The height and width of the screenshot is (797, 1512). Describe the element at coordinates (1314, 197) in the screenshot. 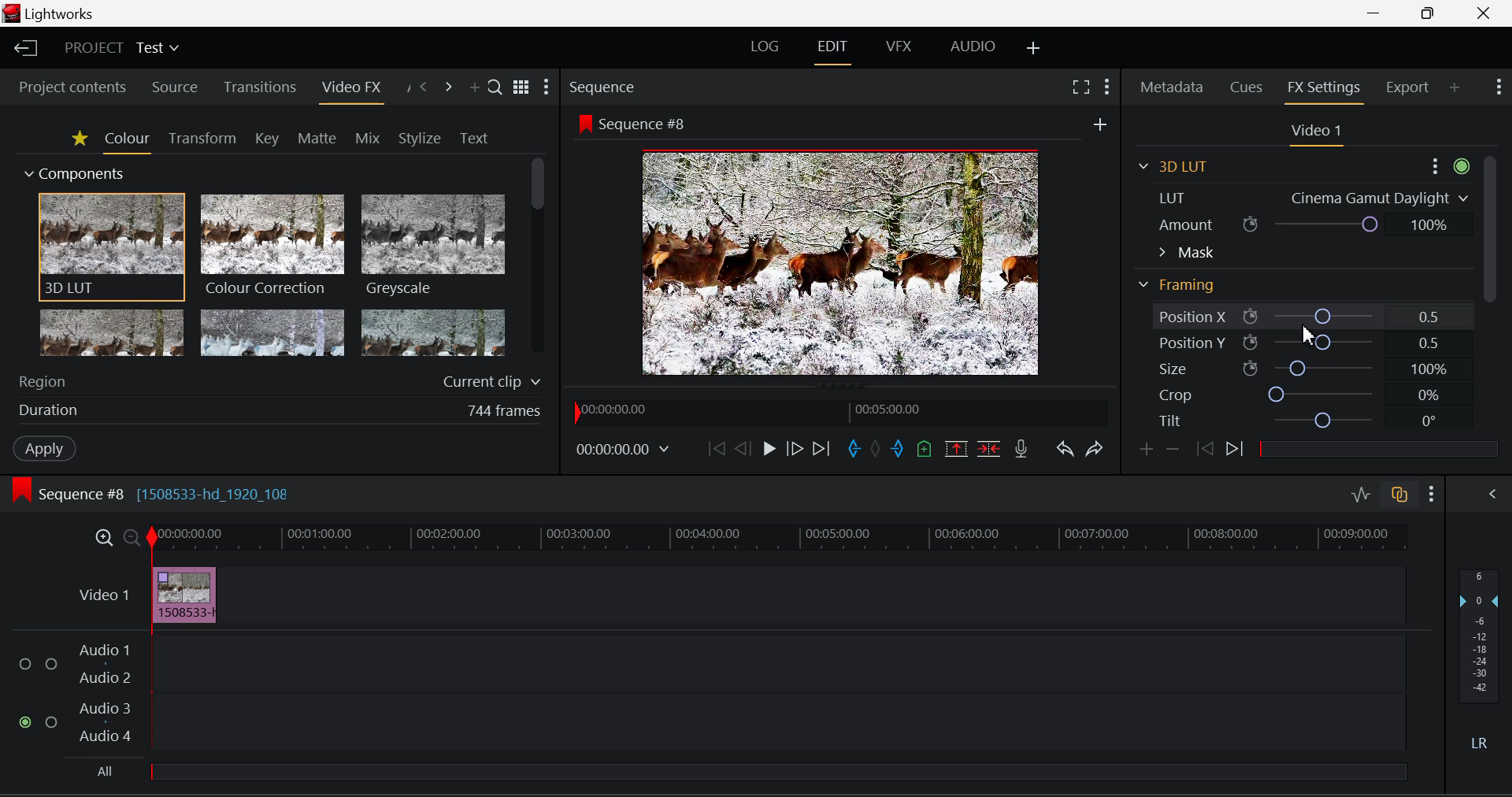

I see `Effect Selected` at that location.